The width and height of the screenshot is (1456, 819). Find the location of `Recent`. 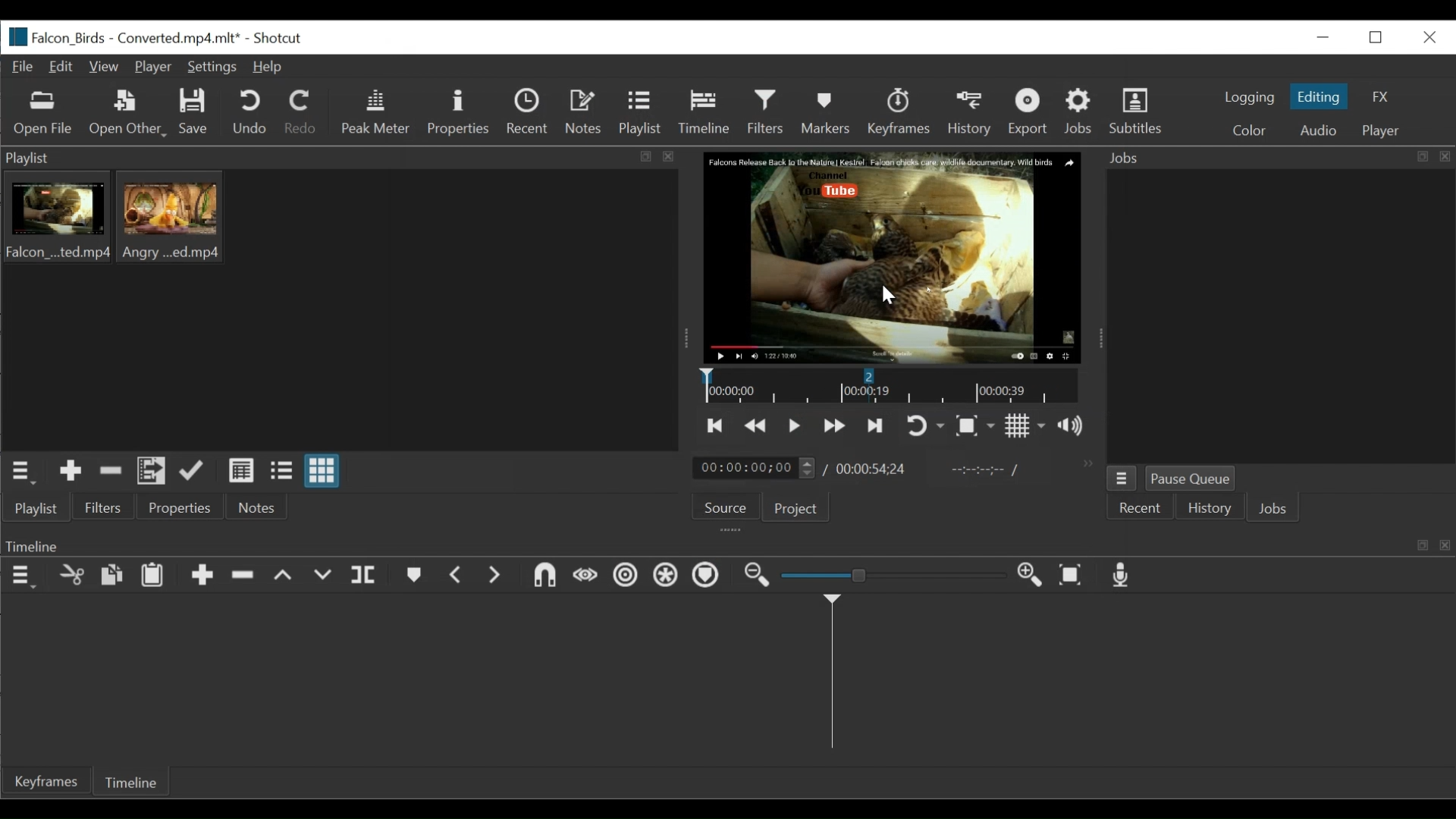

Recent is located at coordinates (1137, 510).